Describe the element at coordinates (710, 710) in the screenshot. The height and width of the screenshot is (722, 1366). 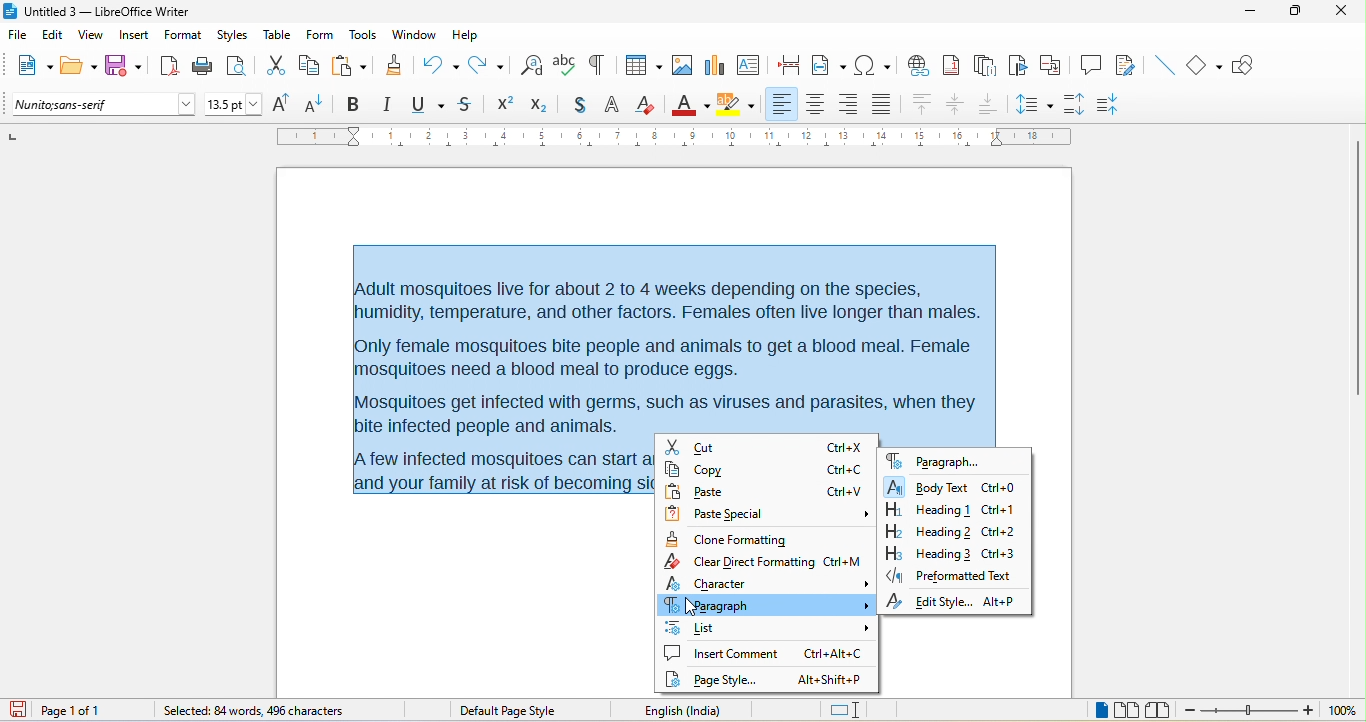
I see `text language` at that location.